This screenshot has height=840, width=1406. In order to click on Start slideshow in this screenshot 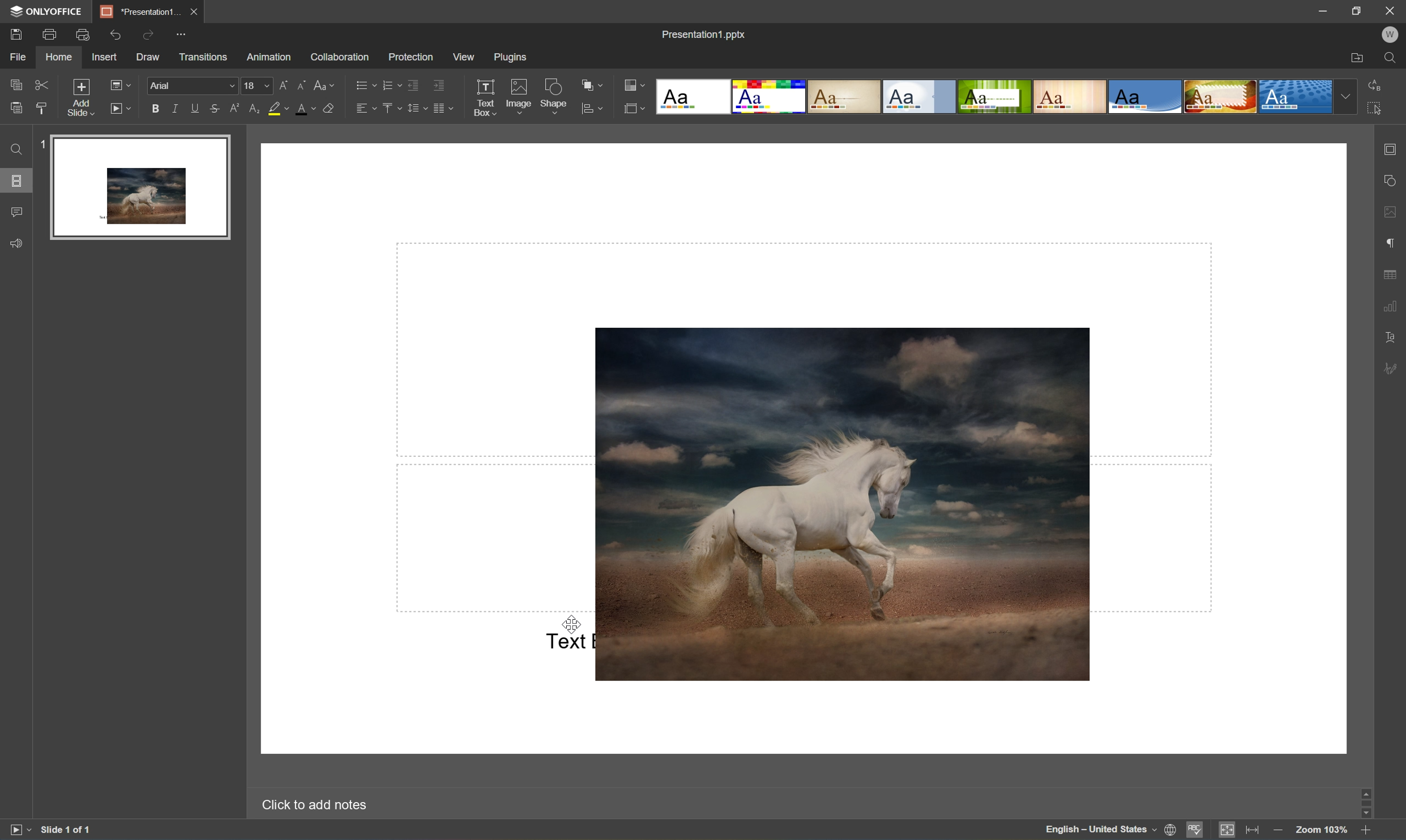, I will do `click(119, 109)`.